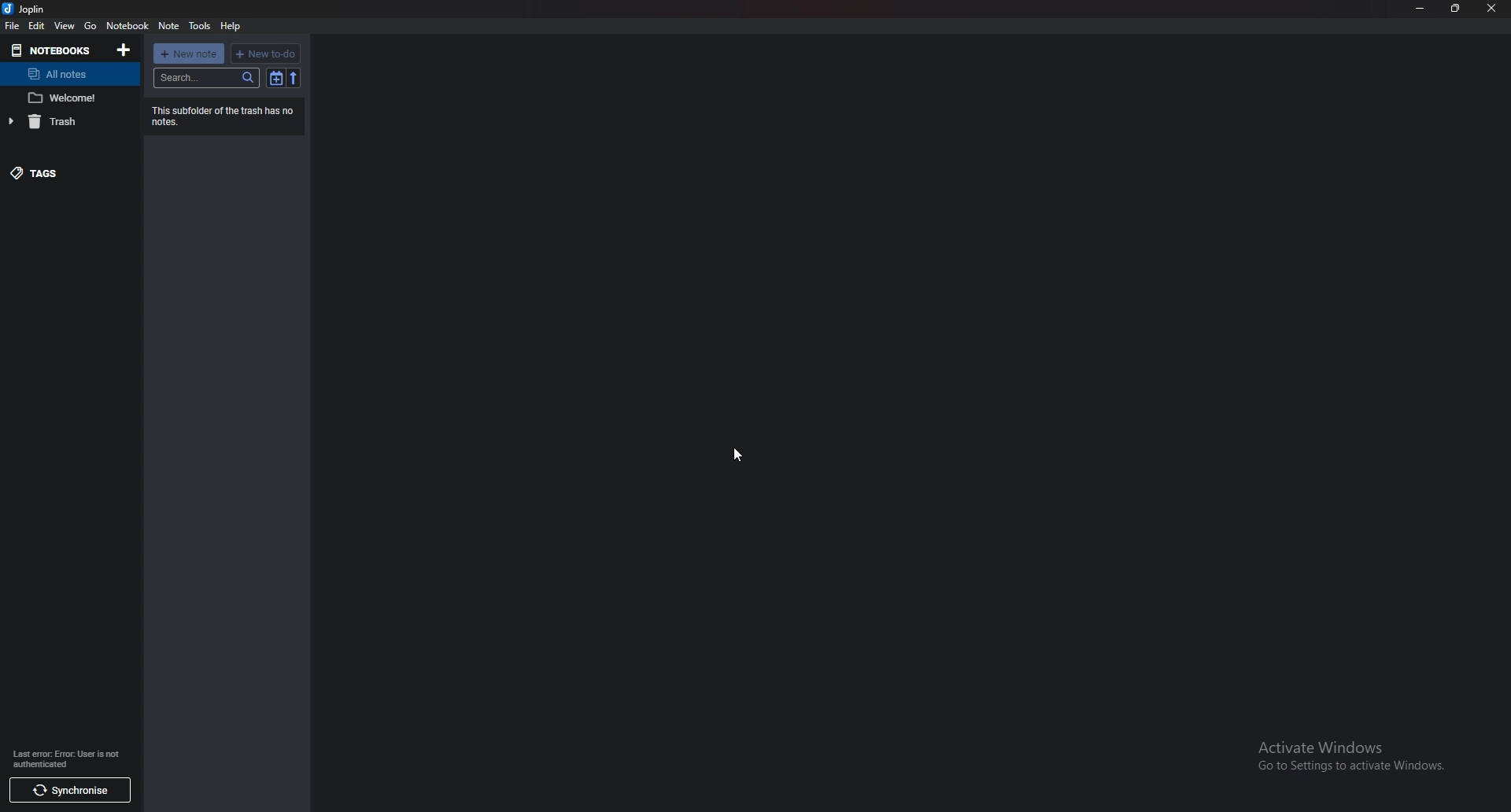 The height and width of the screenshot is (812, 1511). What do you see at coordinates (277, 78) in the screenshot?
I see `toggle sort` at bounding box center [277, 78].